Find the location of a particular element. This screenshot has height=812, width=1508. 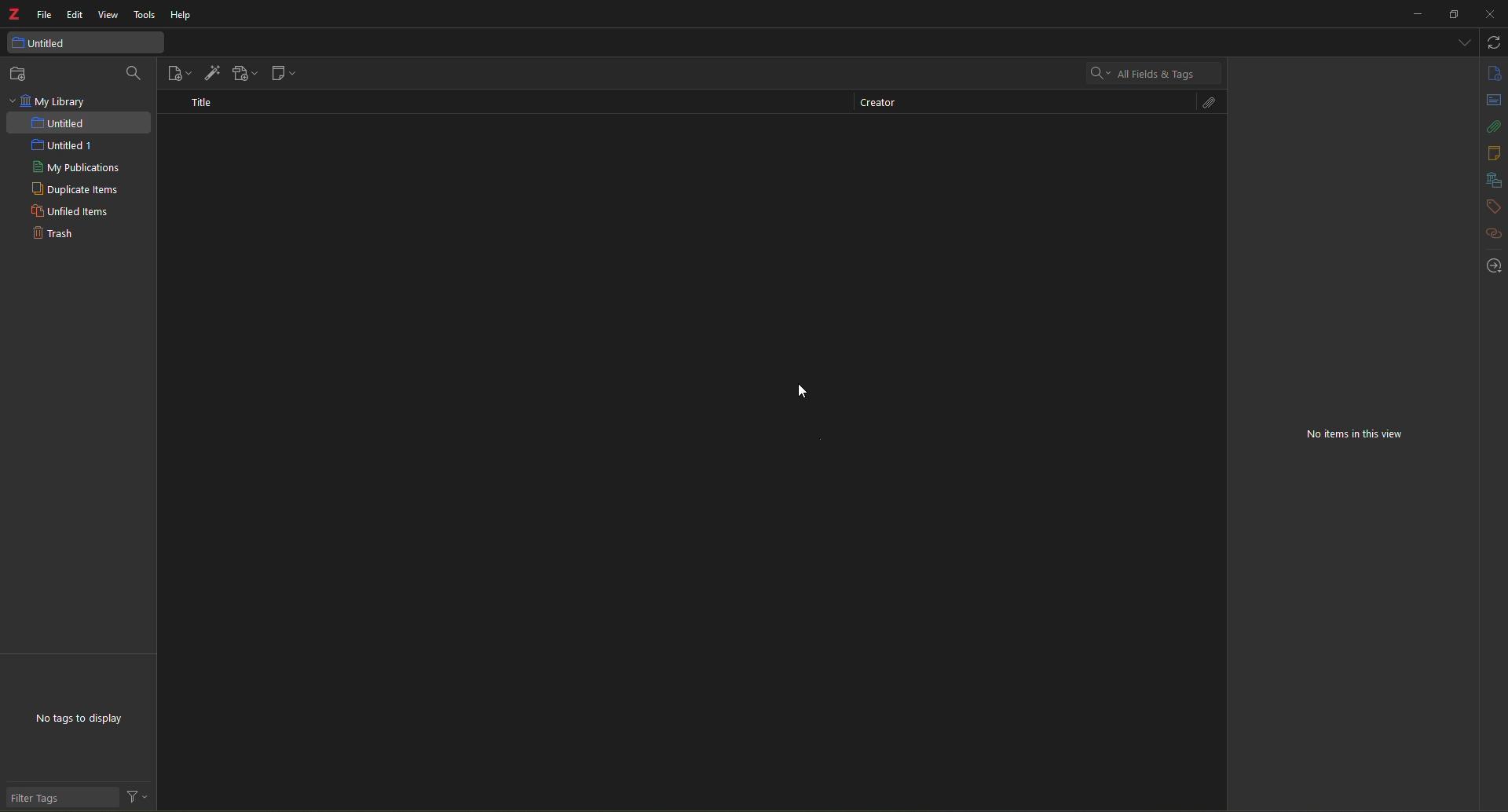

new note is located at coordinates (287, 74).